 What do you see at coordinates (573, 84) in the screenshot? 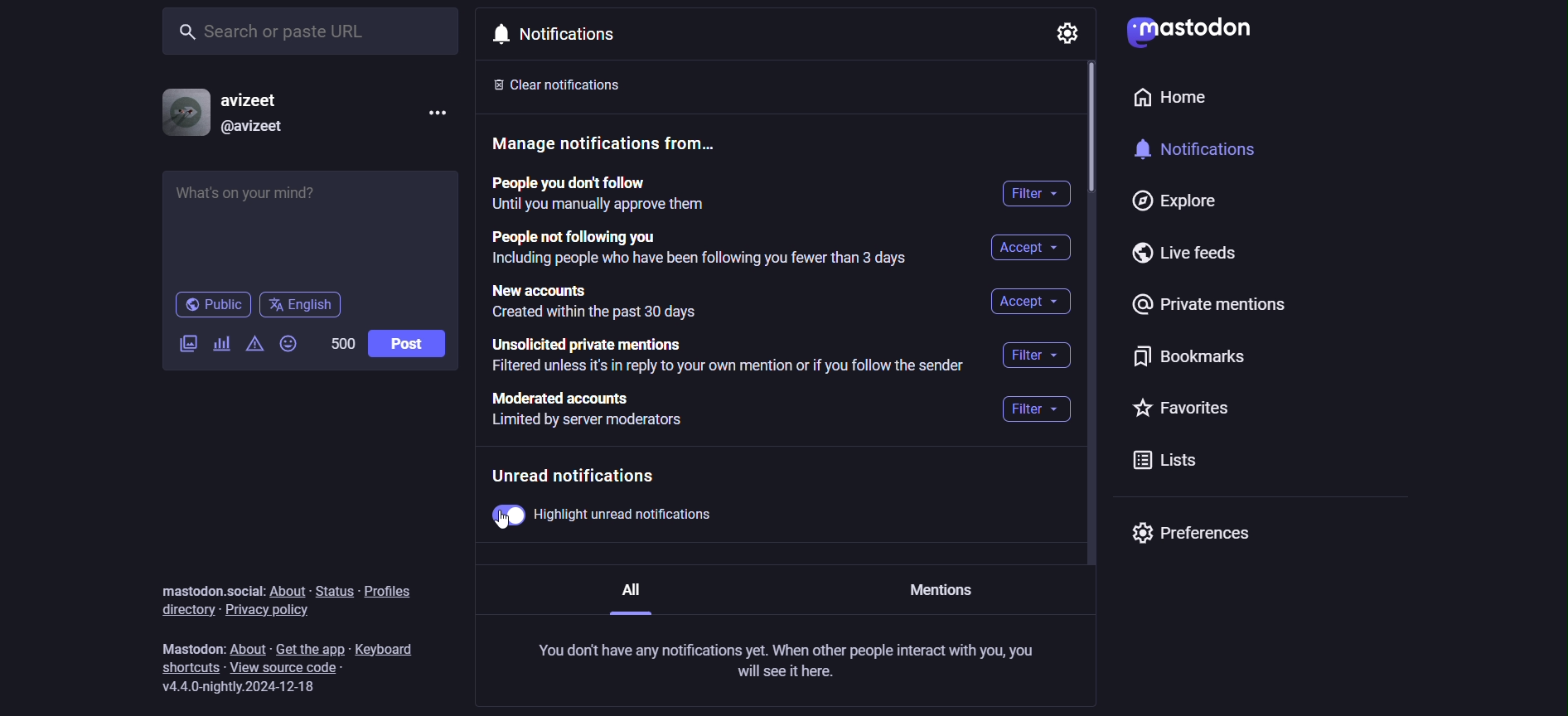
I see `clear notification` at bounding box center [573, 84].